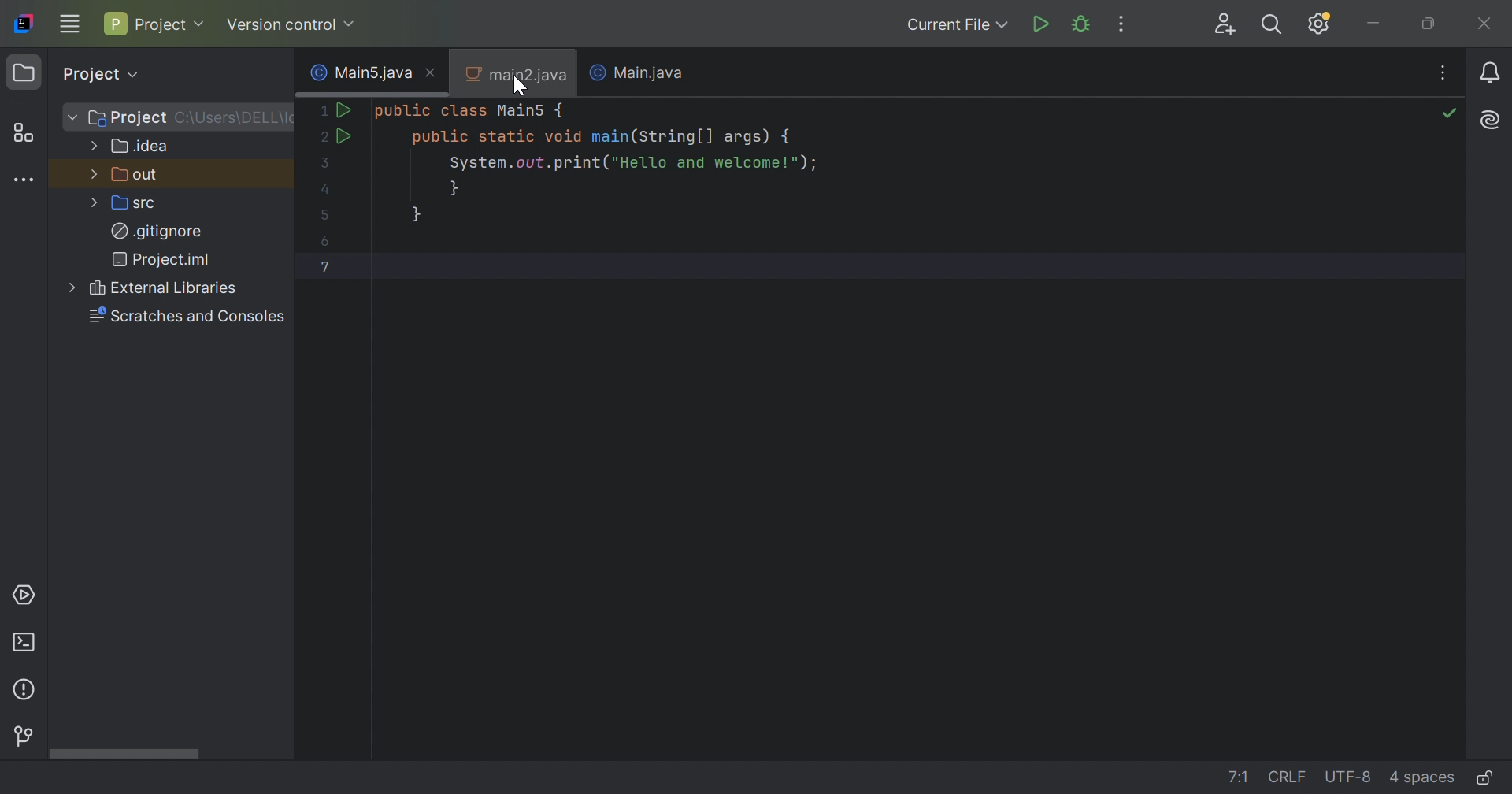 This screenshot has width=1512, height=794. Describe the element at coordinates (22, 71) in the screenshot. I see `Project icon` at that location.